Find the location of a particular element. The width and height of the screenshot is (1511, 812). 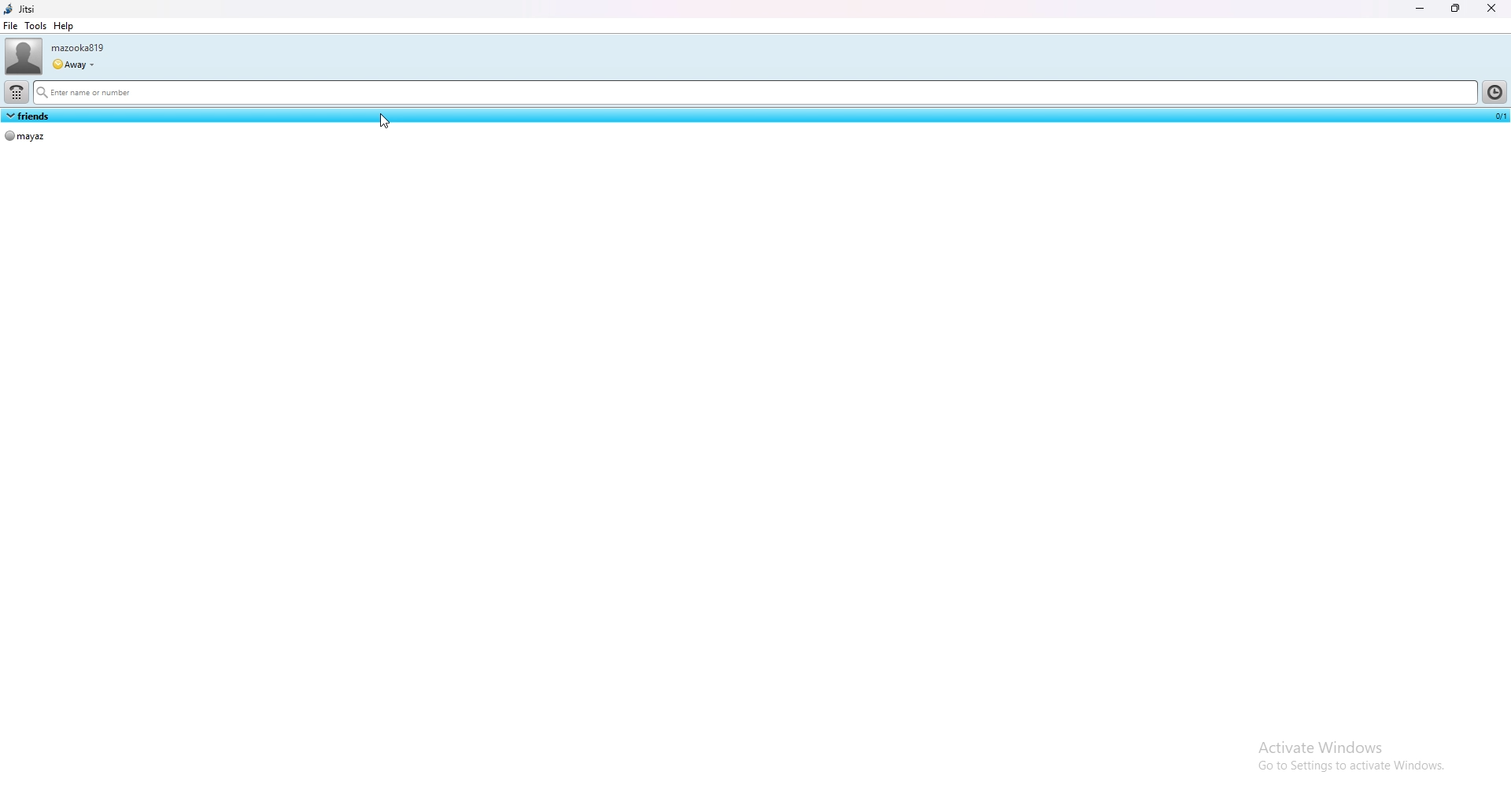

history is located at coordinates (1495, 92).